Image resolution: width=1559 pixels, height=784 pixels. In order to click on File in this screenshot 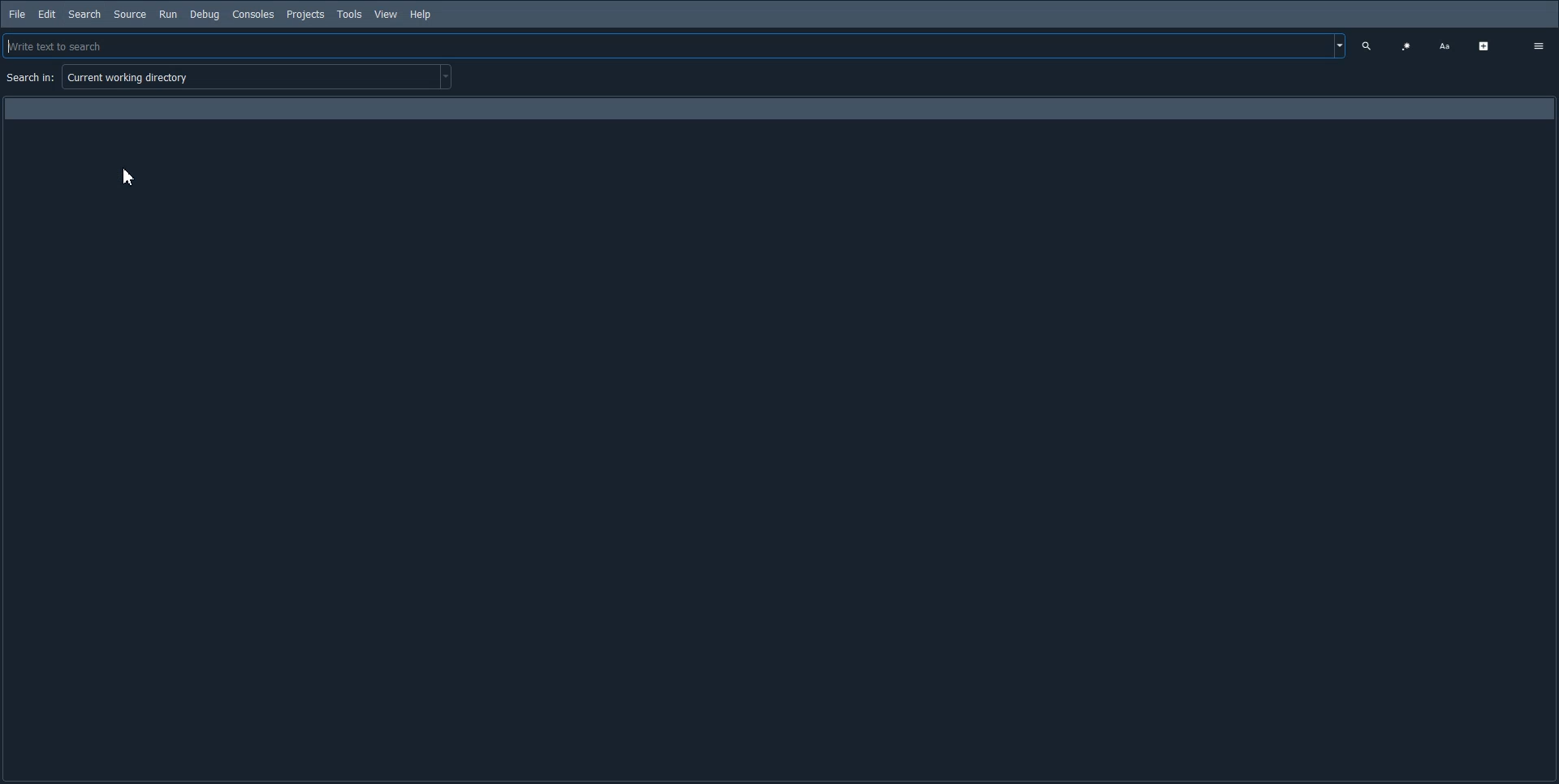, I will do `click(18, 14)`.